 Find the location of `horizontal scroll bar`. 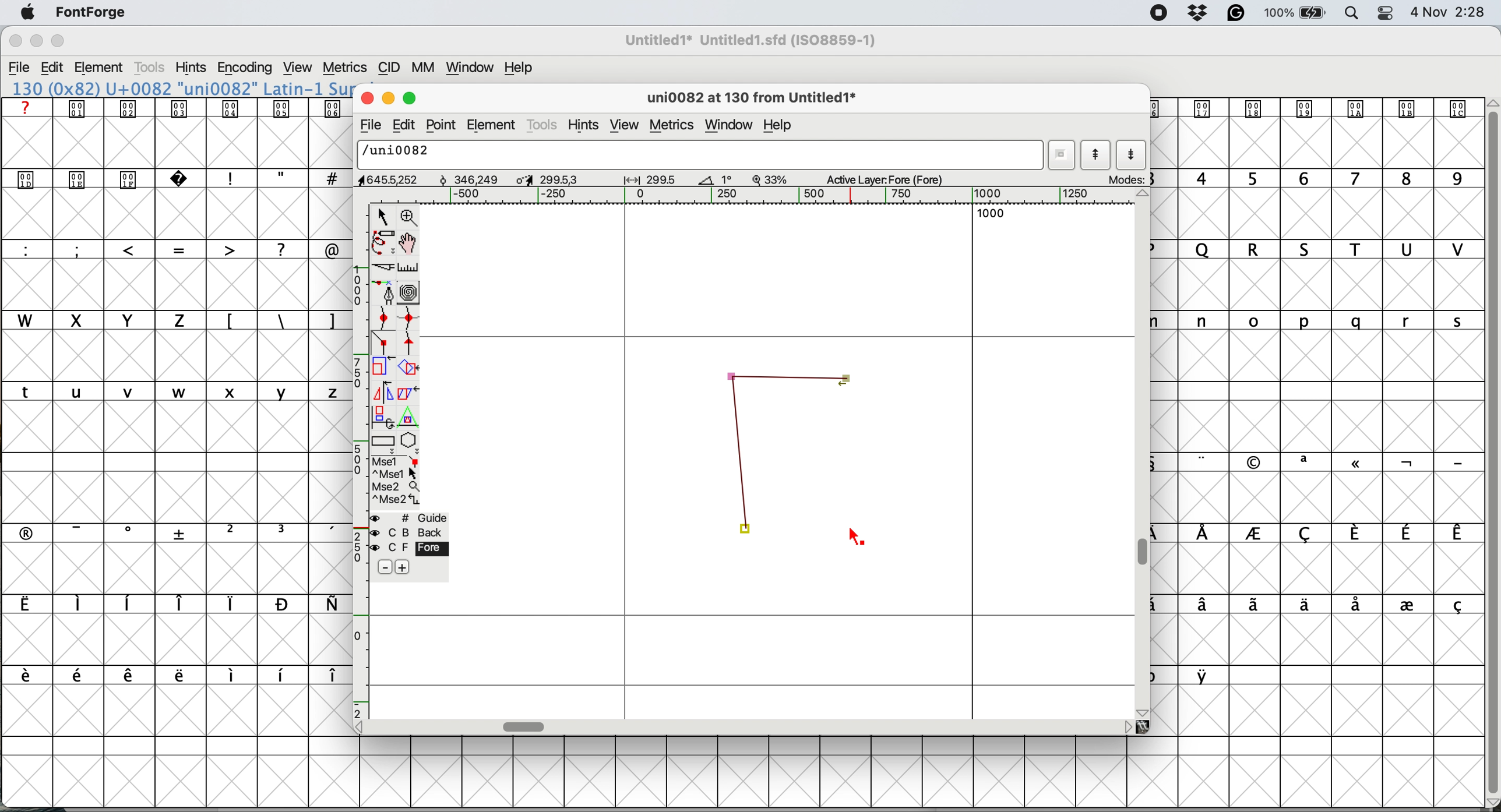

horizontal scroll bar is located at coordinates (526, 726).